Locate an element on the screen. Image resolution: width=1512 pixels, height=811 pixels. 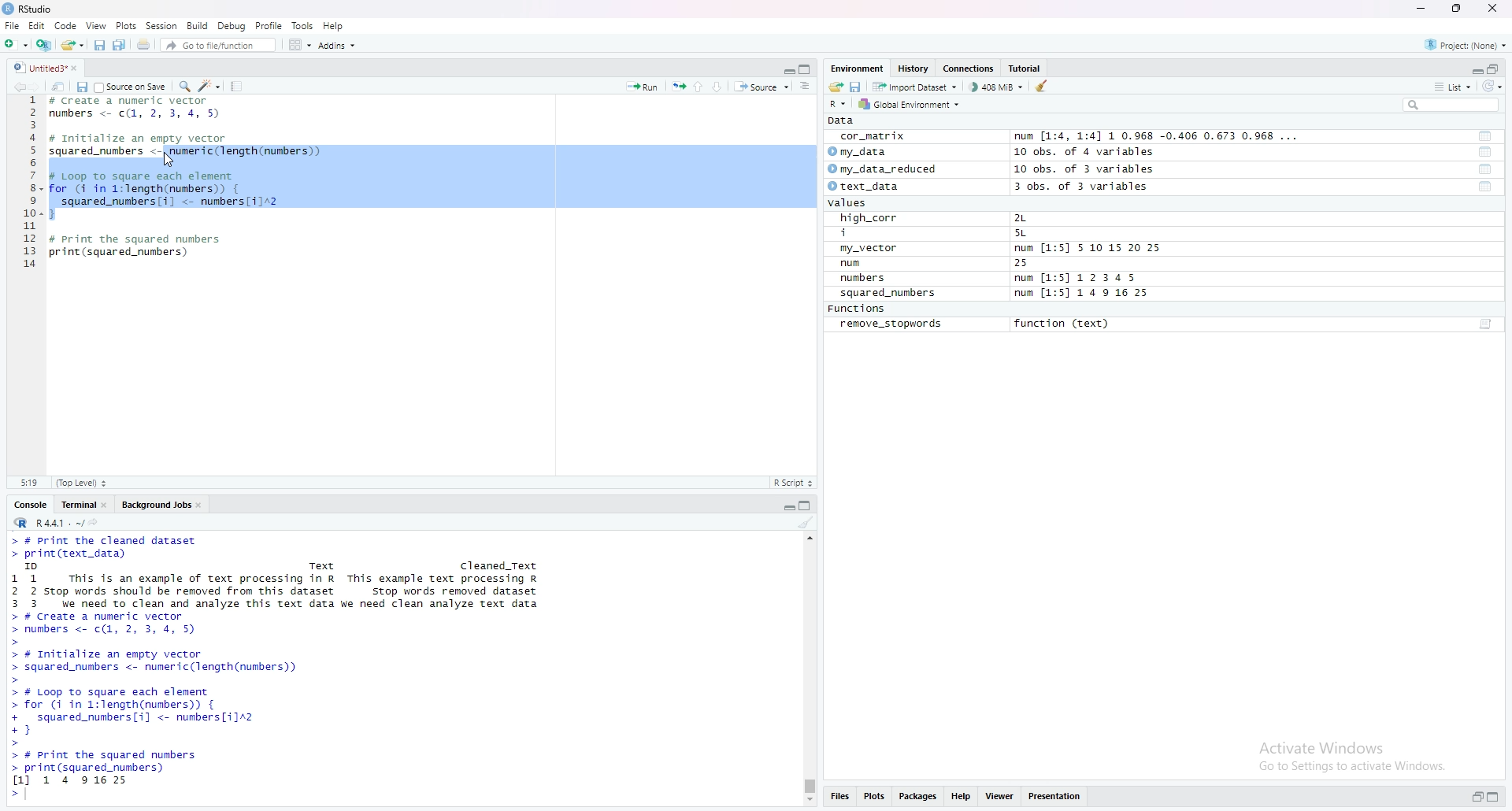
up is located at coordinates (699, 85).